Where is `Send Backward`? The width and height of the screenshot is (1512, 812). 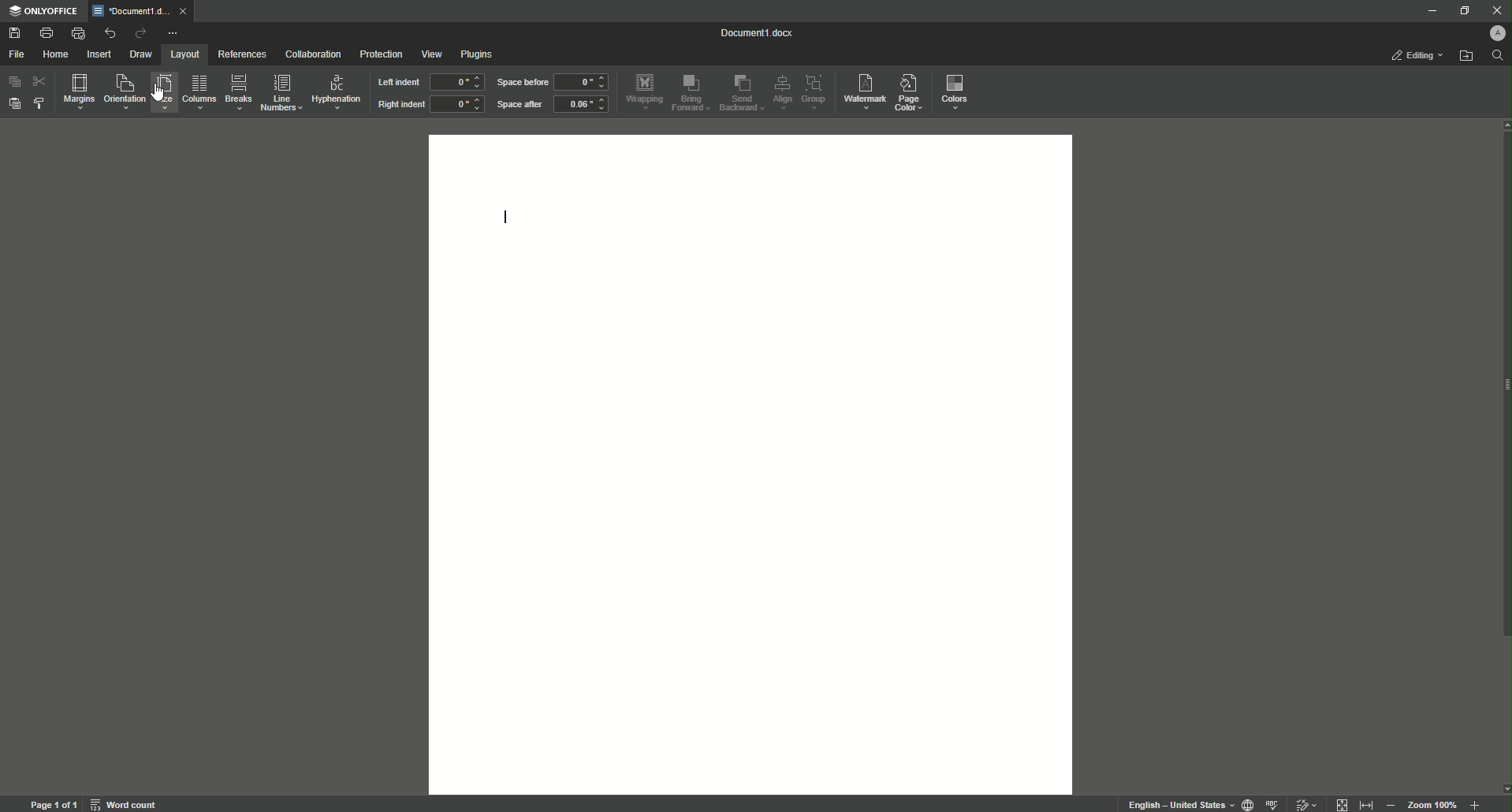 Send Backward is located at coordinates (740, 93).